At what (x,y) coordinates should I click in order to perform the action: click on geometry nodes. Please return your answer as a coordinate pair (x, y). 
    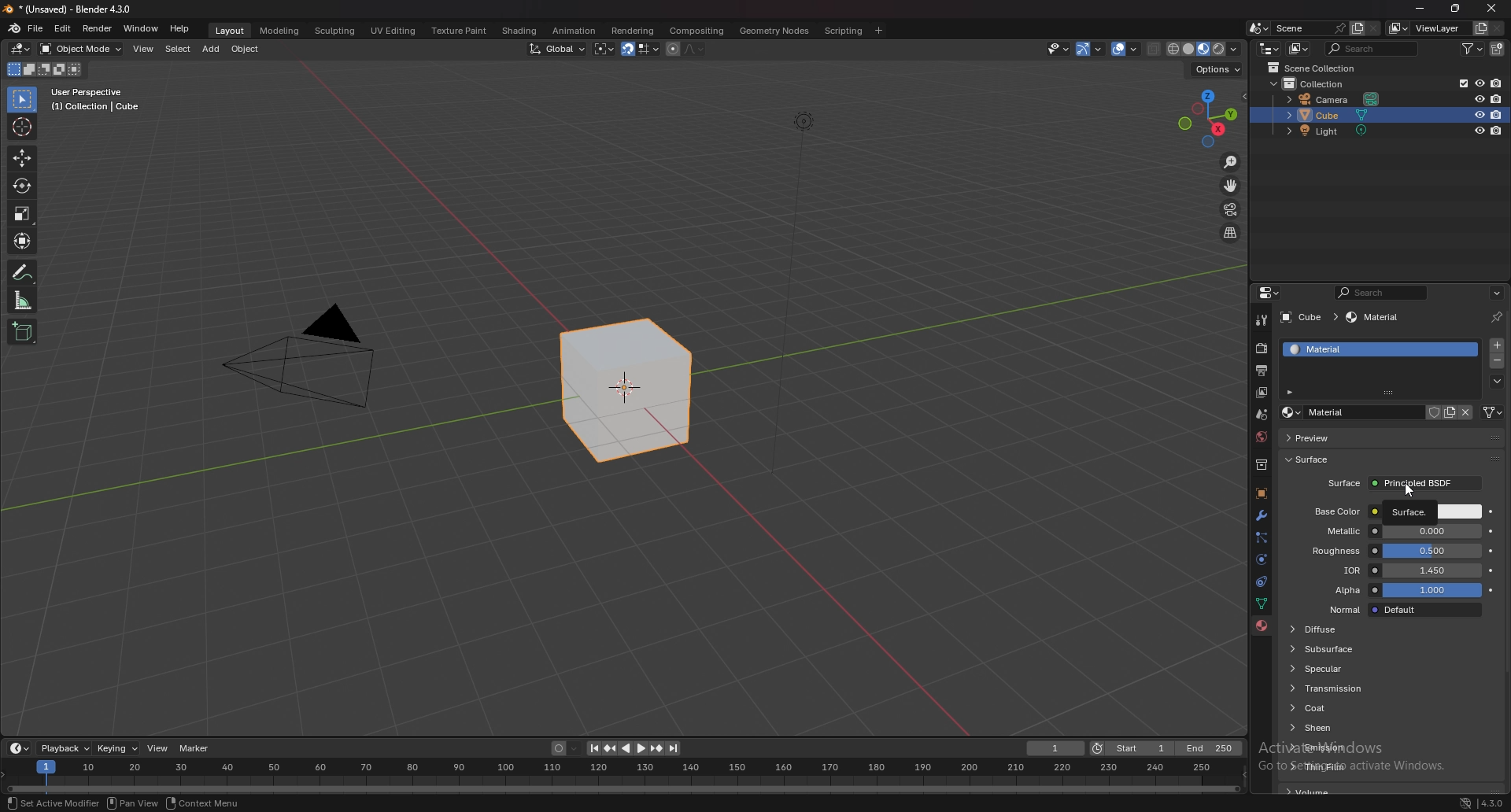
    Looking at the image, I should click on (774, 30).